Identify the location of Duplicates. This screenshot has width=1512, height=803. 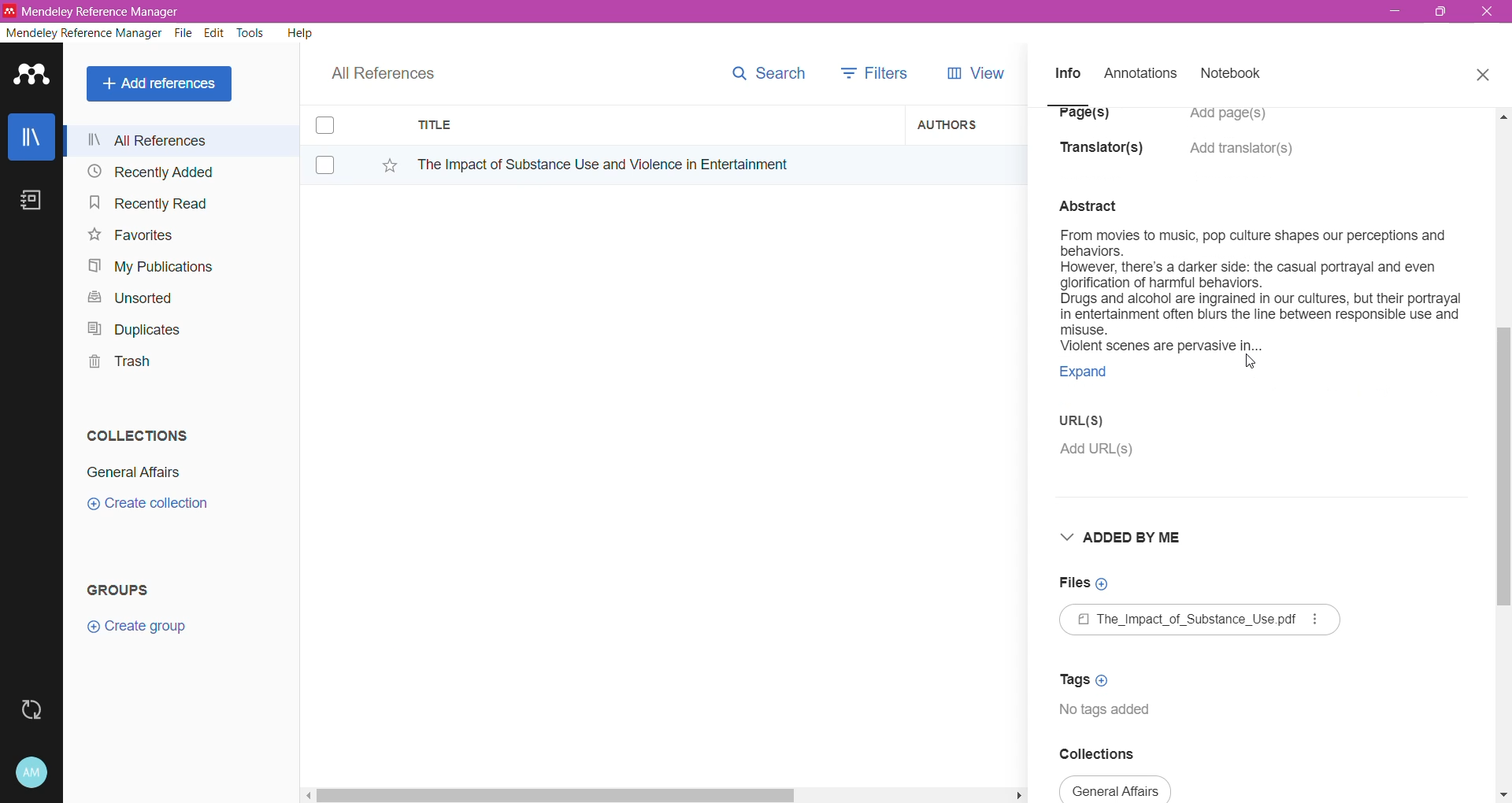
(129, 327).